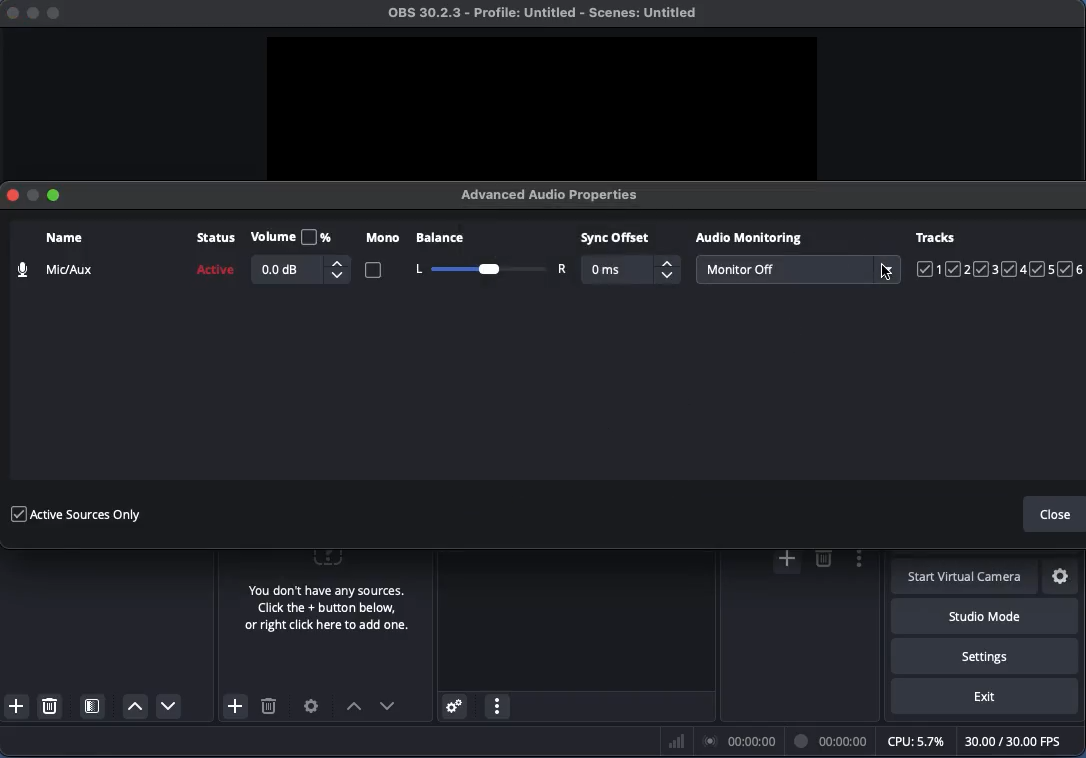 The image size is (1086, 758). Describe the element at coordinates (750, 238) in the screenshot. I see `Audio monitoring` at that location.